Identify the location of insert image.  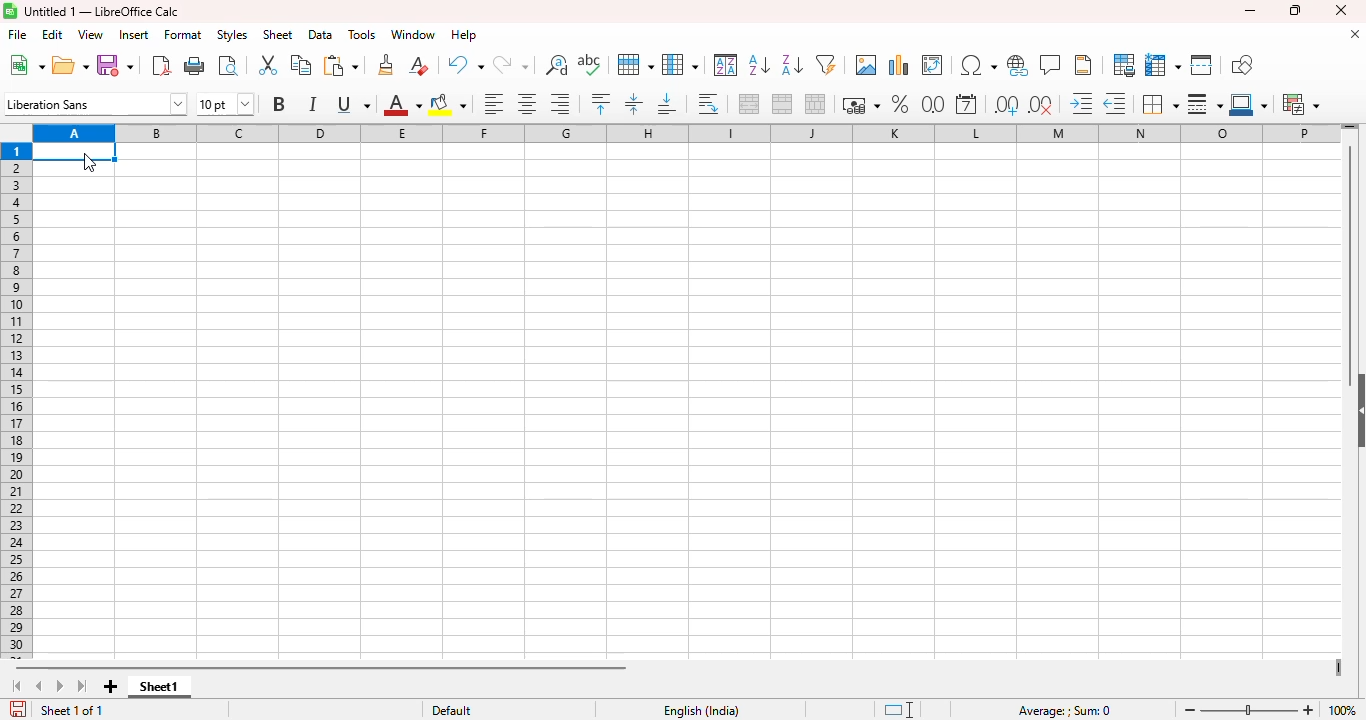
(899, 65).